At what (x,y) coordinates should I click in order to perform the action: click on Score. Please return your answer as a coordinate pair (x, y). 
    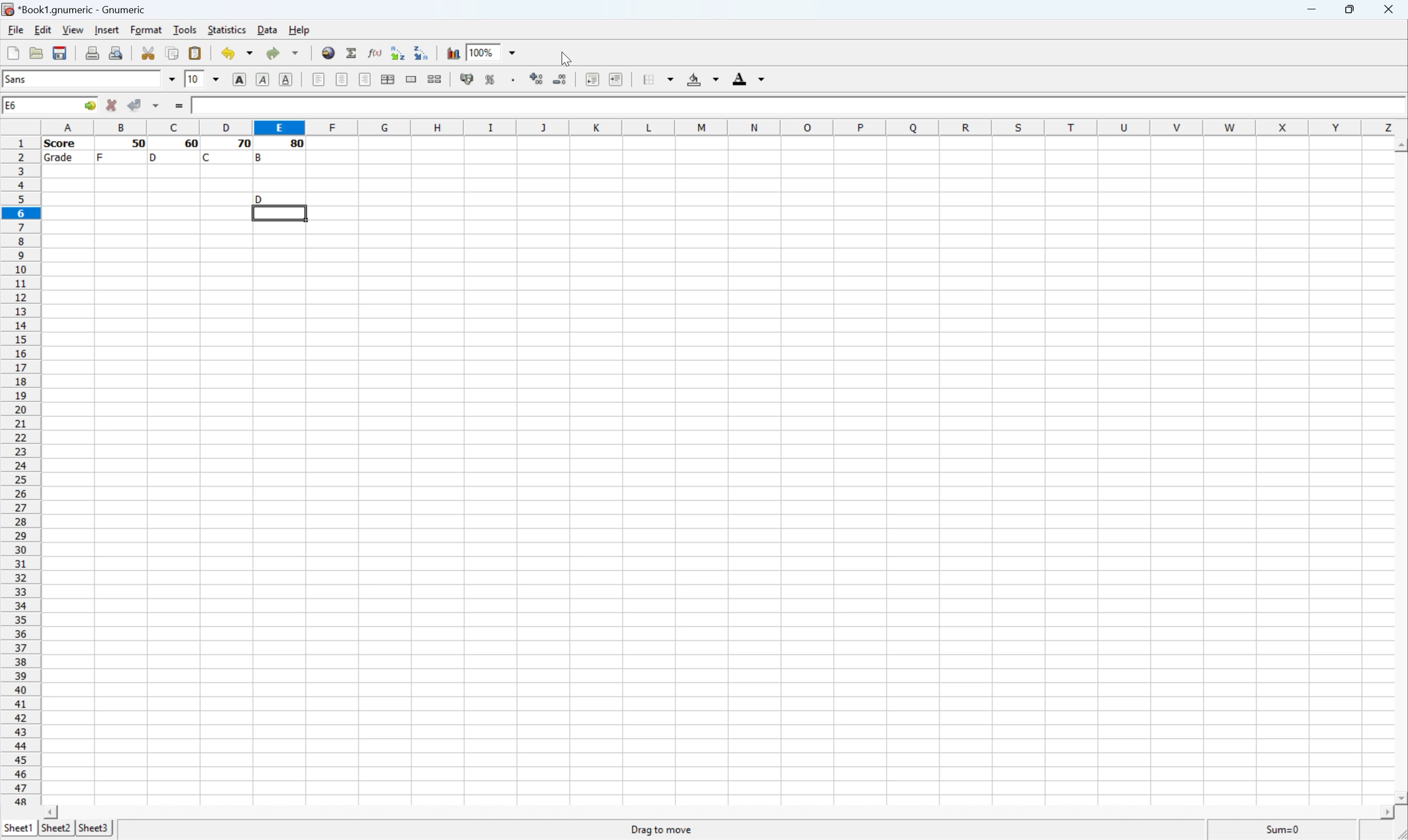
    Looking at the image, I should click on (63, 144).